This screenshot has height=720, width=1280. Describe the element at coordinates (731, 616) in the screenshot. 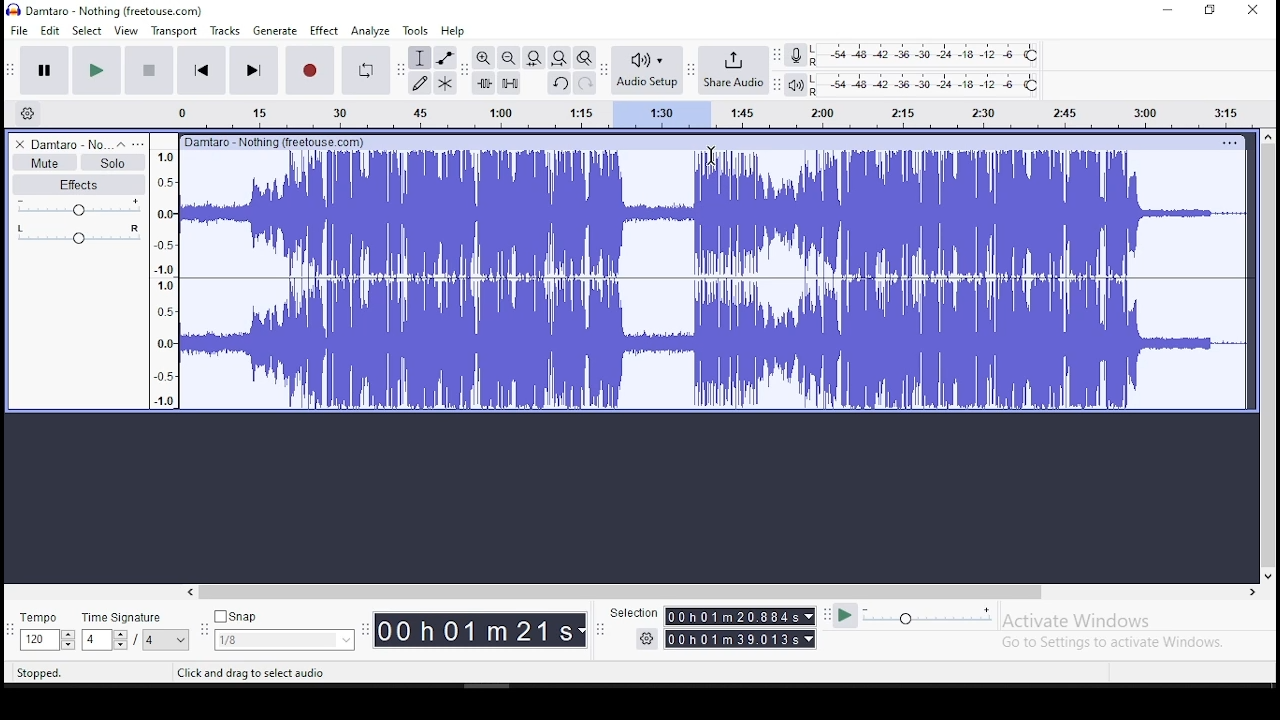

I see `00Oh01m?20884 s` at that location.